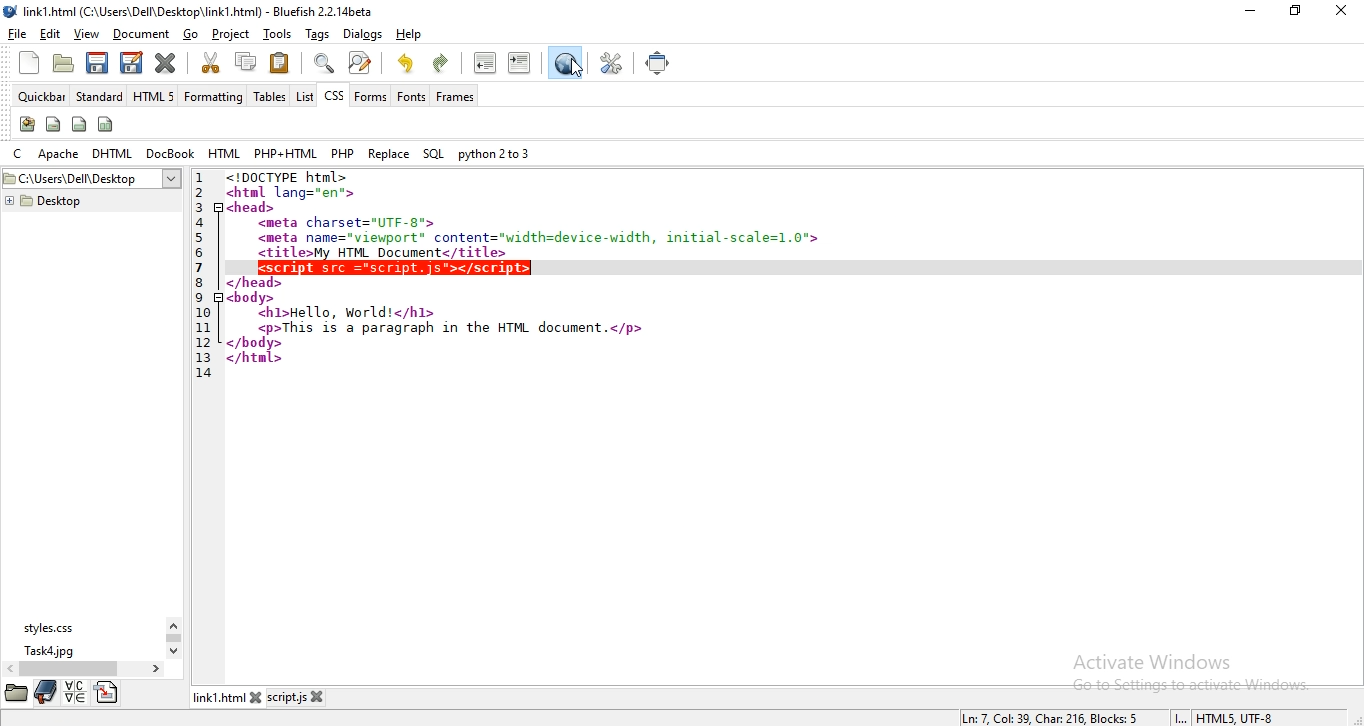  What do you see at coordinates (317, 34) in the screenshot?
I see `tags` at bounding box center [317, 34].